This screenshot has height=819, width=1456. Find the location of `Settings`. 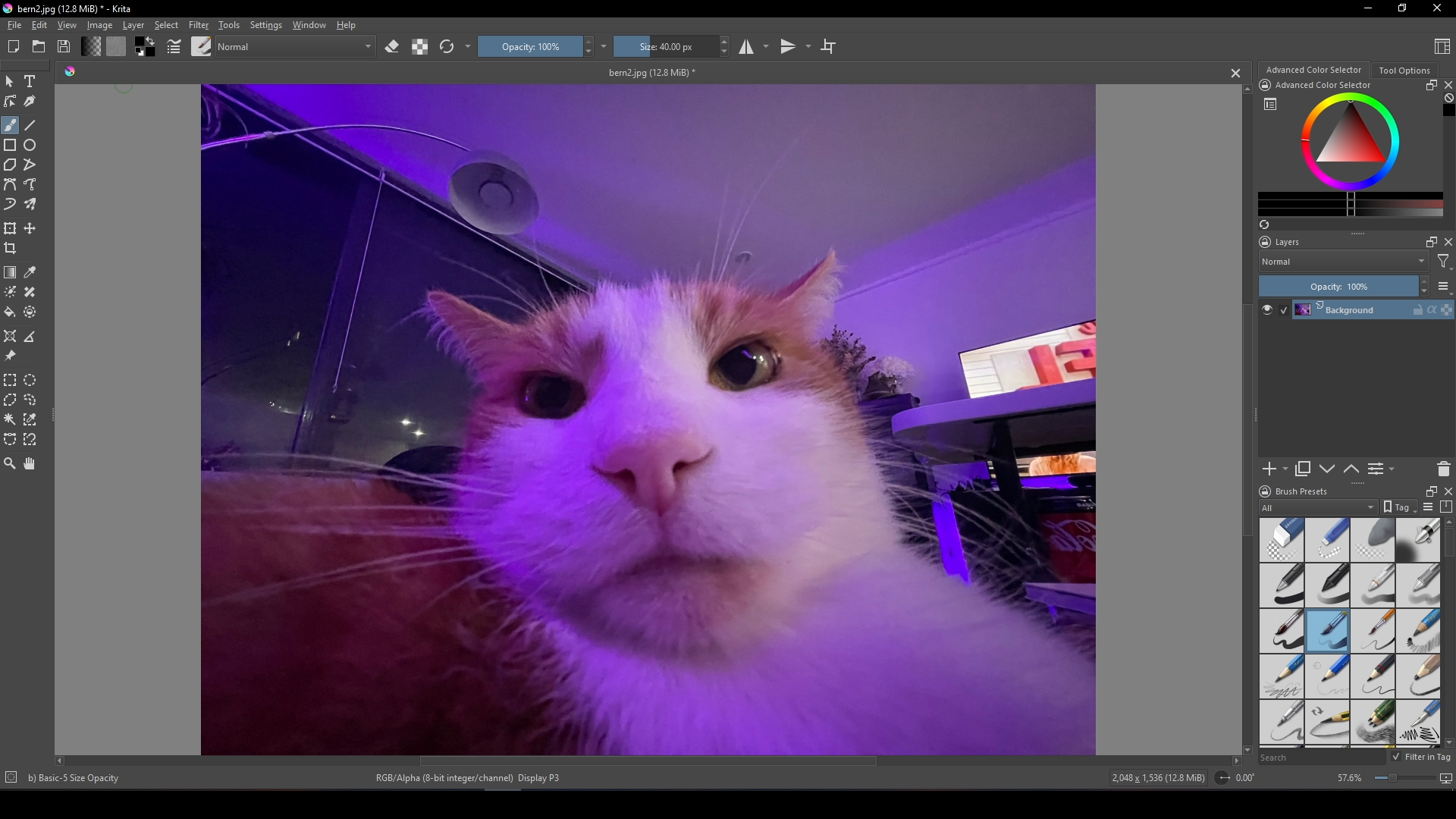

Settings is located at coordinates (267, 26).